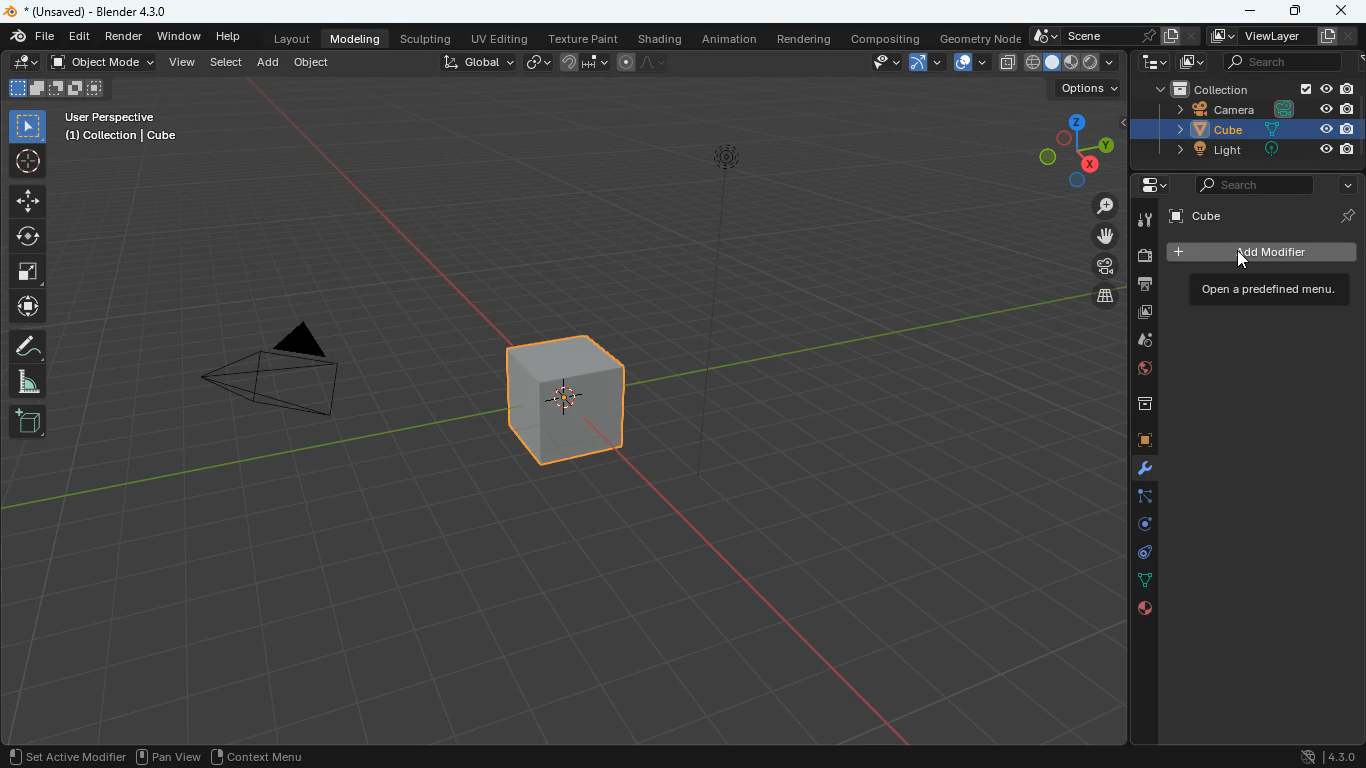 The width and height of the screenshot is (1366, 768). Describe the element at coordinates (1190, 63) in the screenshot. I see `image` at that location.